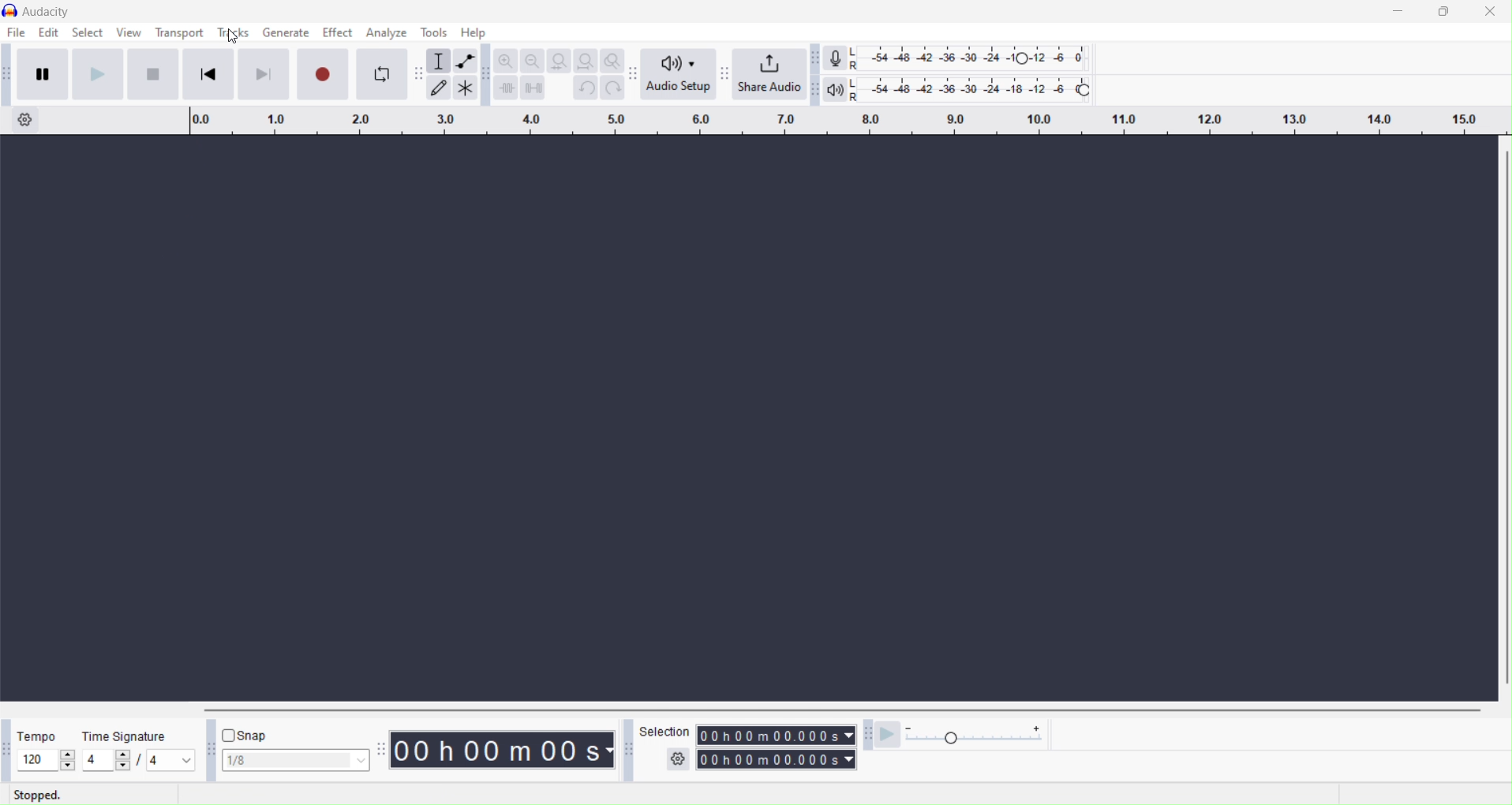 The width and height of the screenshot is (1512, 805). I want to click on Stopped, so click(43, 795).